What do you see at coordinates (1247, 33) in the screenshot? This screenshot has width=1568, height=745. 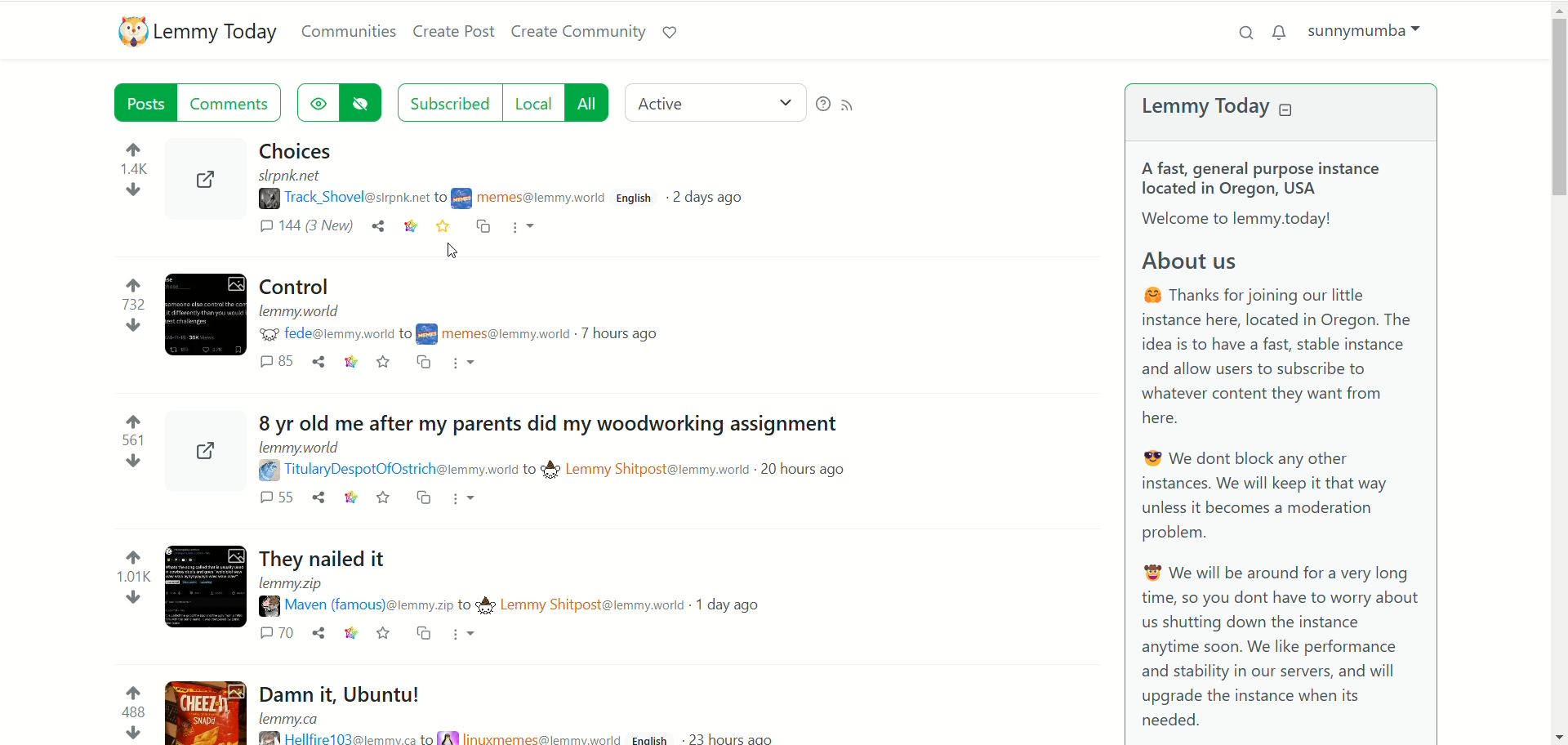 I see `search` at bounding box center [1247, 33].